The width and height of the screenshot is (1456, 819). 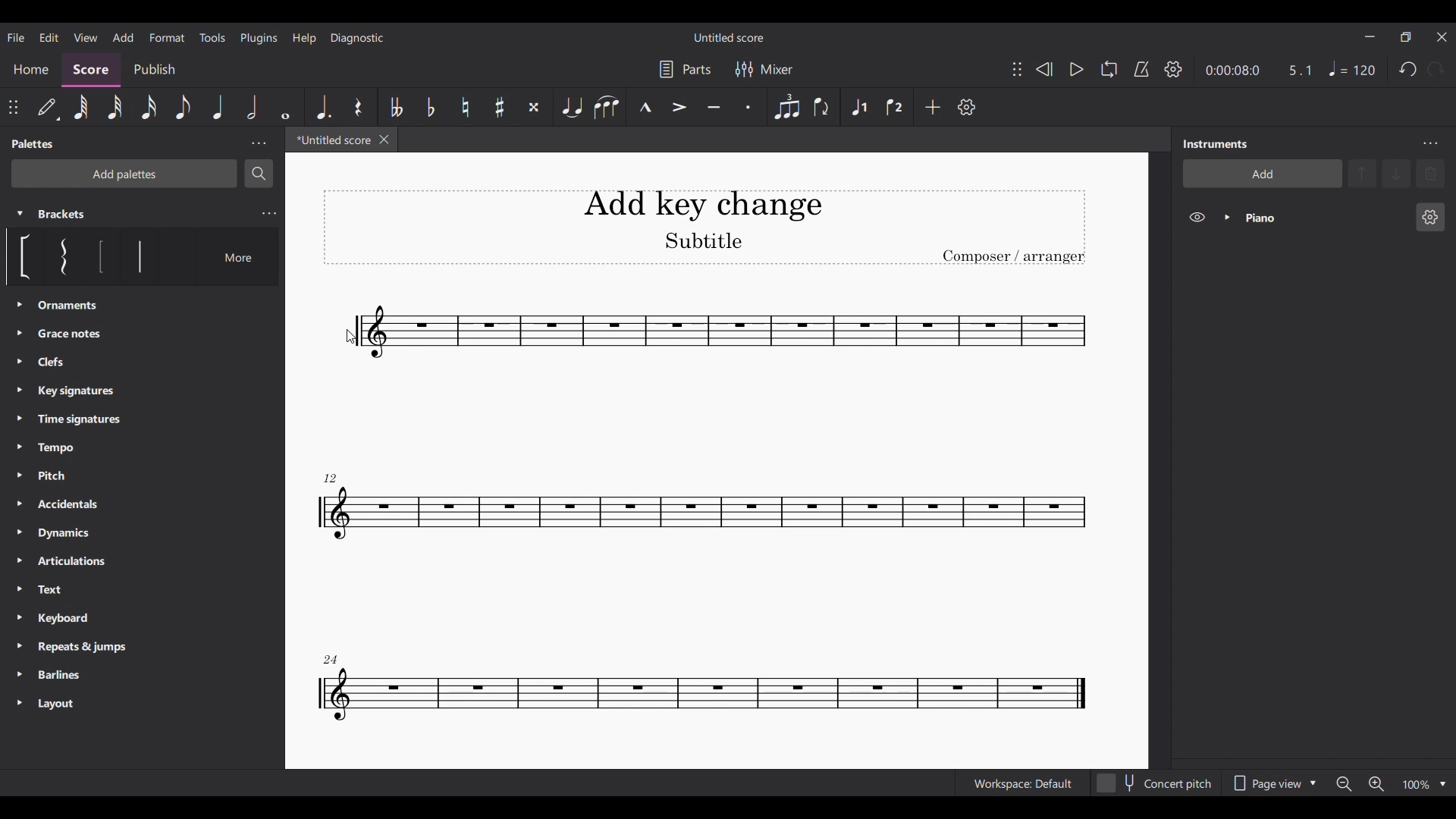 I want to click on Loop playback, so click(x=1109, y=68).